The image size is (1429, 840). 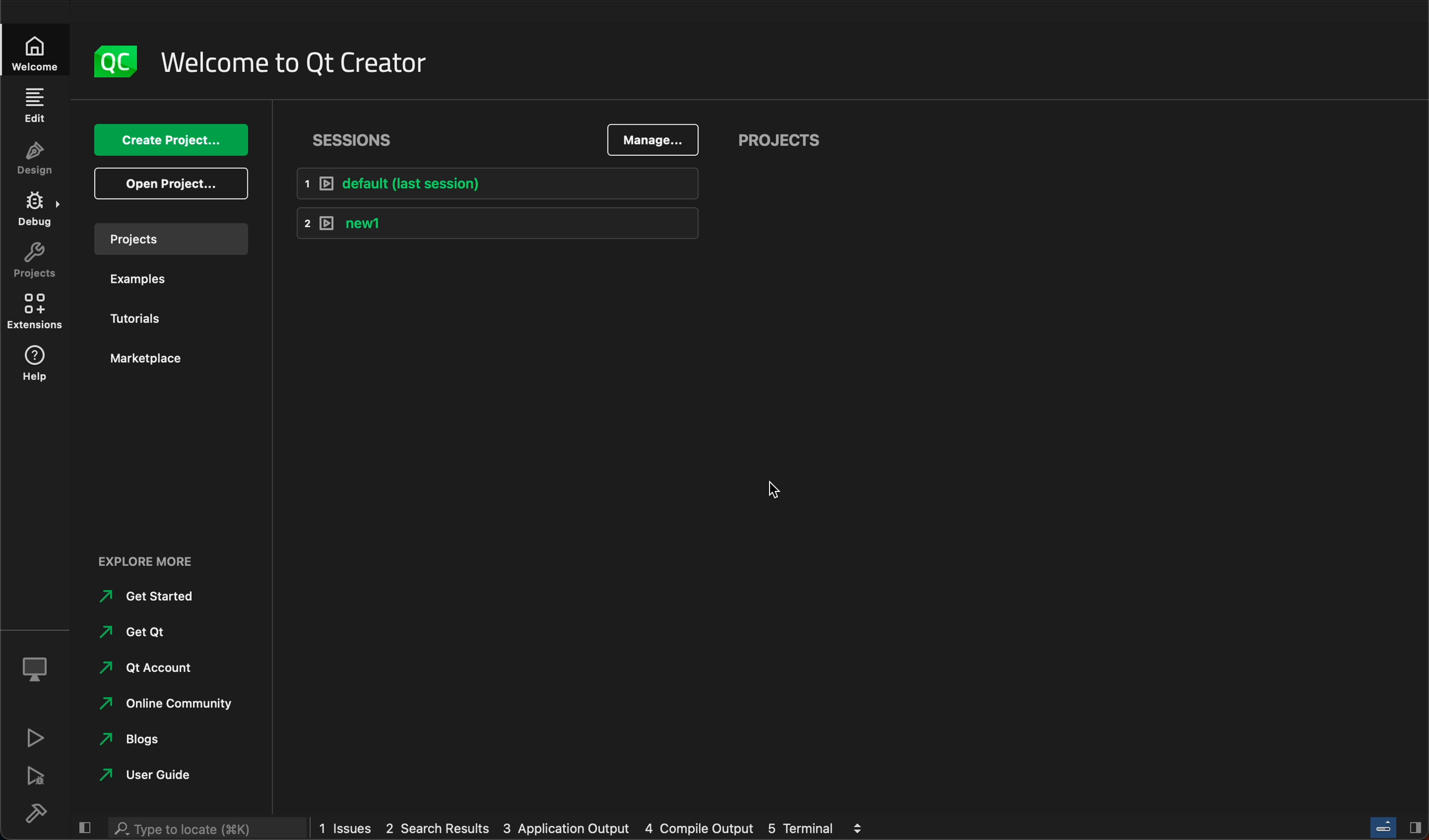 What do you see at coordinates (41, 52) in the screenshot?
I see `Welcome` at bounding box center [41, 52].